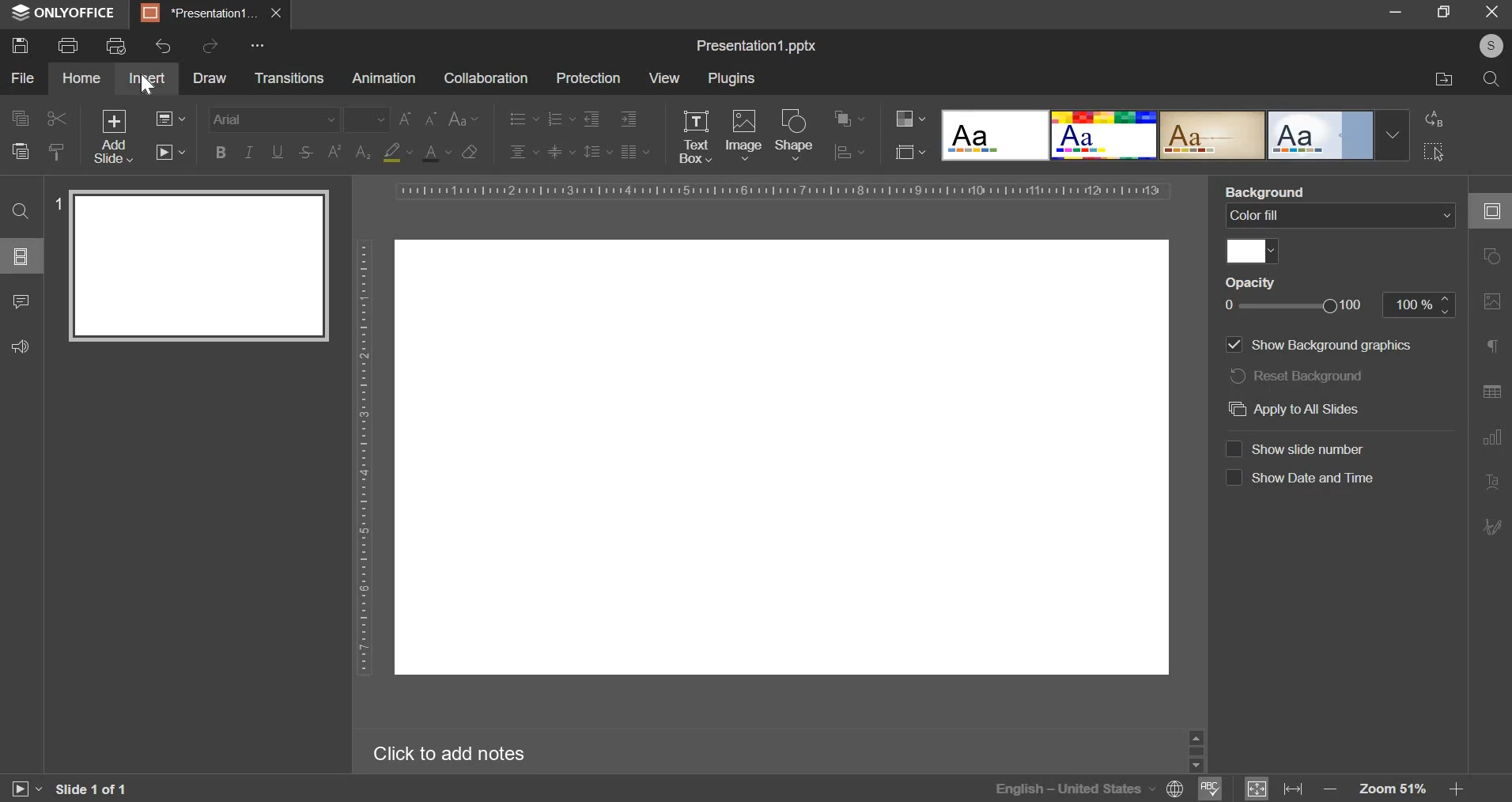 This screenshot has height=802, width=1512. What do you see at coordinates (370, 119) in the screenshot?
I see `enter font size` at bounding box center [370, 119].